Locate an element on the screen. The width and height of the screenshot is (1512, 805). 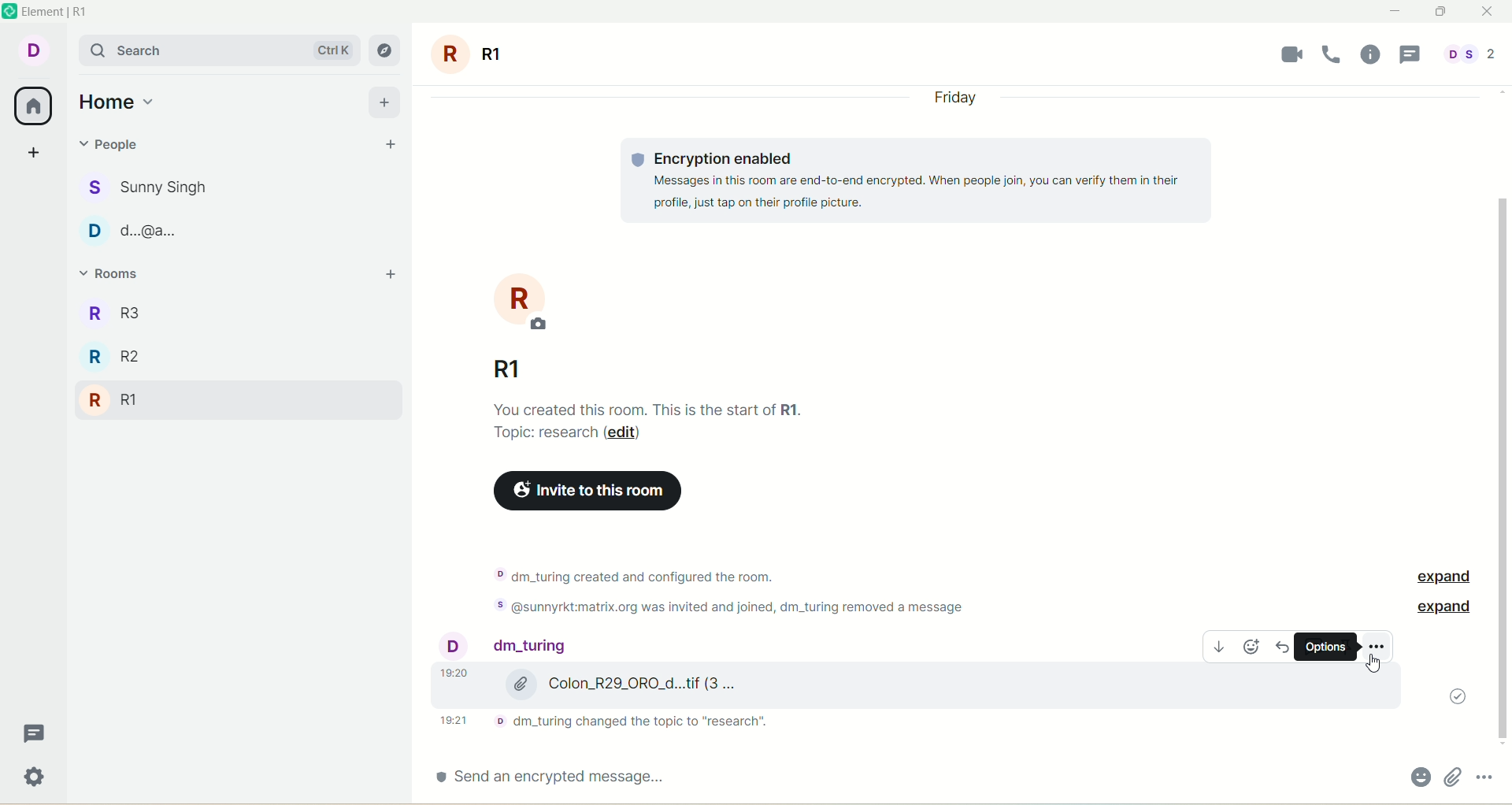
threads is located at coordinates (31, 737).